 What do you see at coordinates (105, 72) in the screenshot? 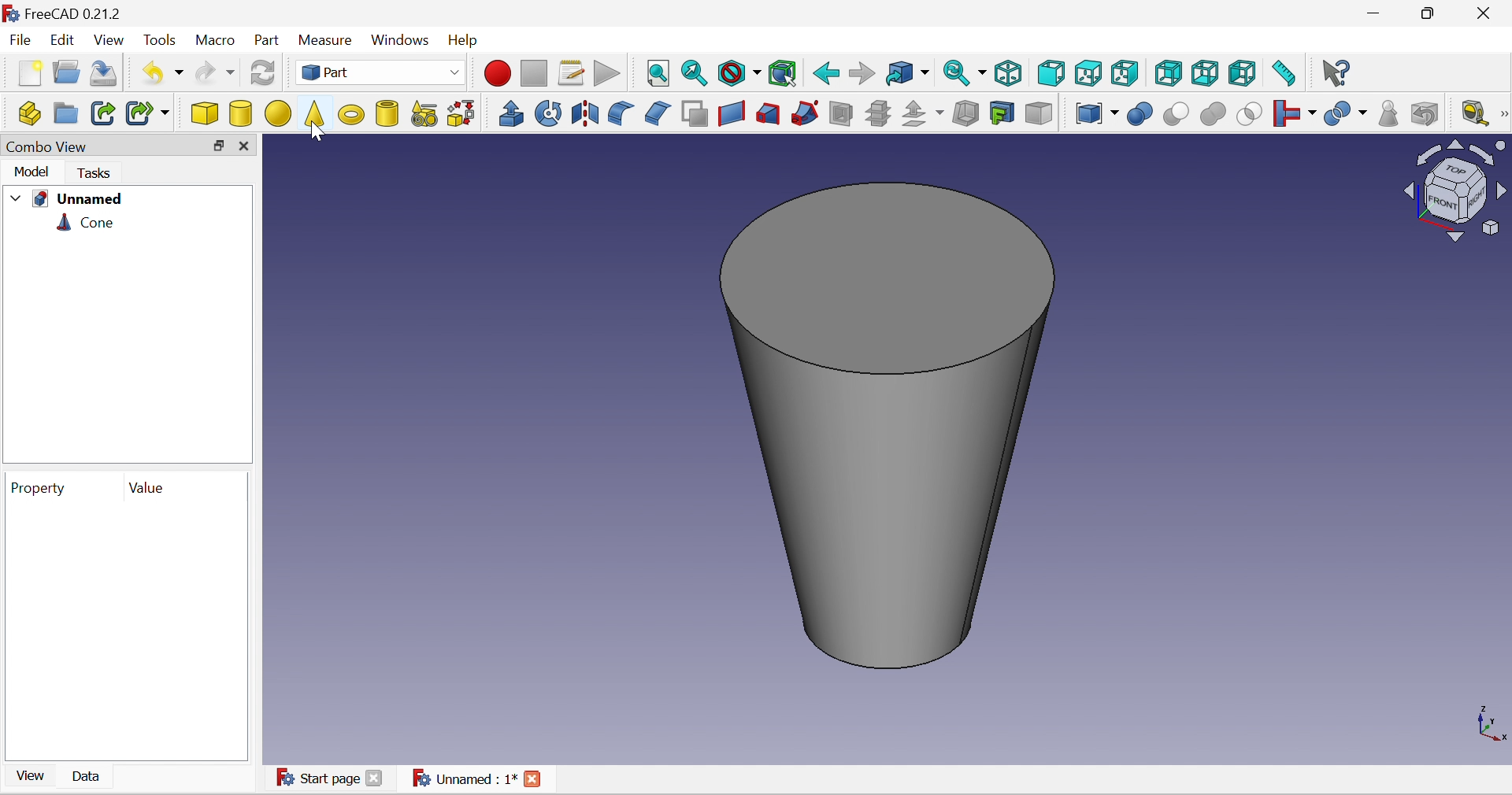
I see `Save` at bounding box center [105, 72].